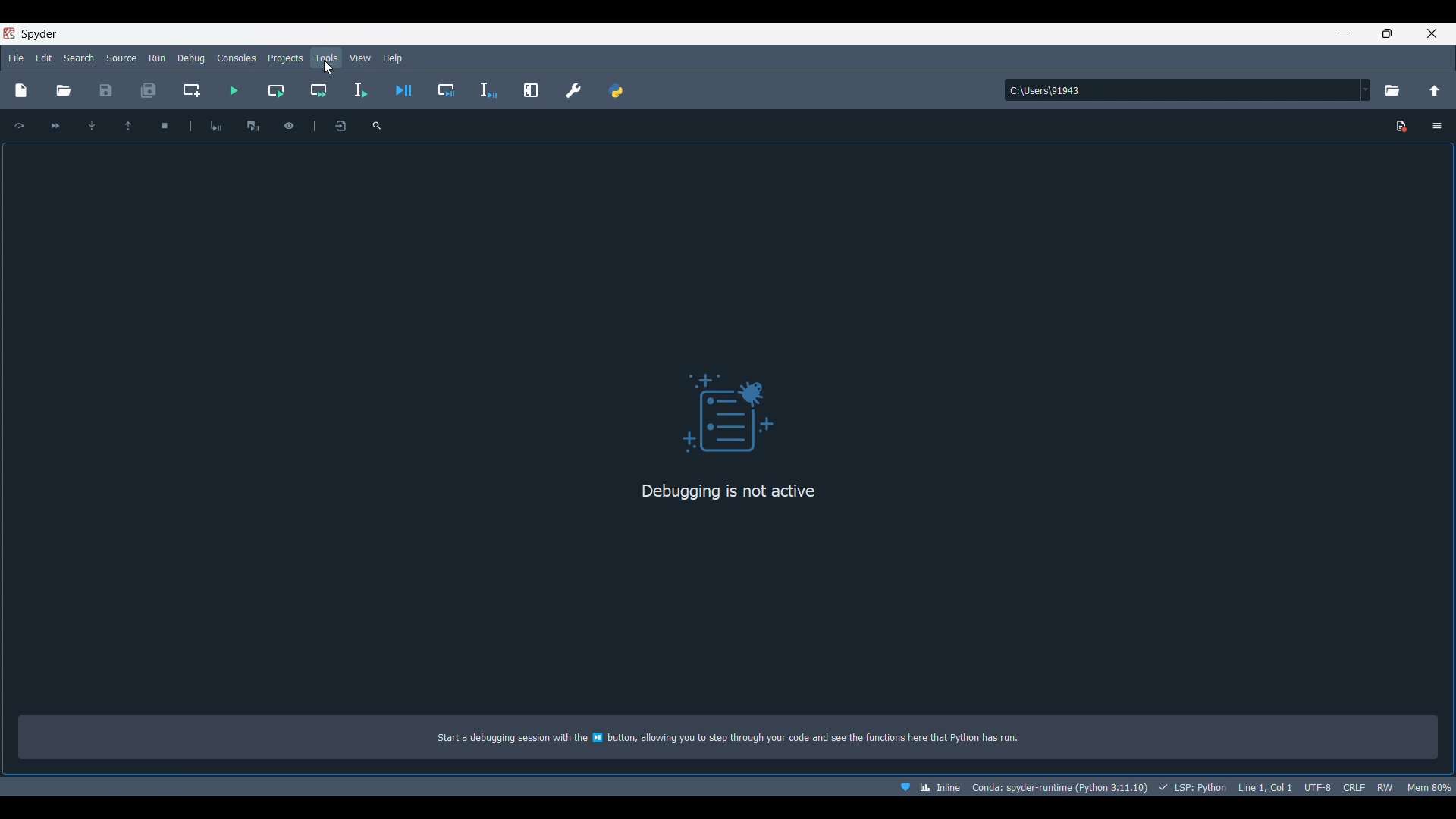 The height and width of the screenshot is (819, 1456). Describe the element at coordinates (1428, 787) in the screenshot. I see `Mem 80%` at that location.